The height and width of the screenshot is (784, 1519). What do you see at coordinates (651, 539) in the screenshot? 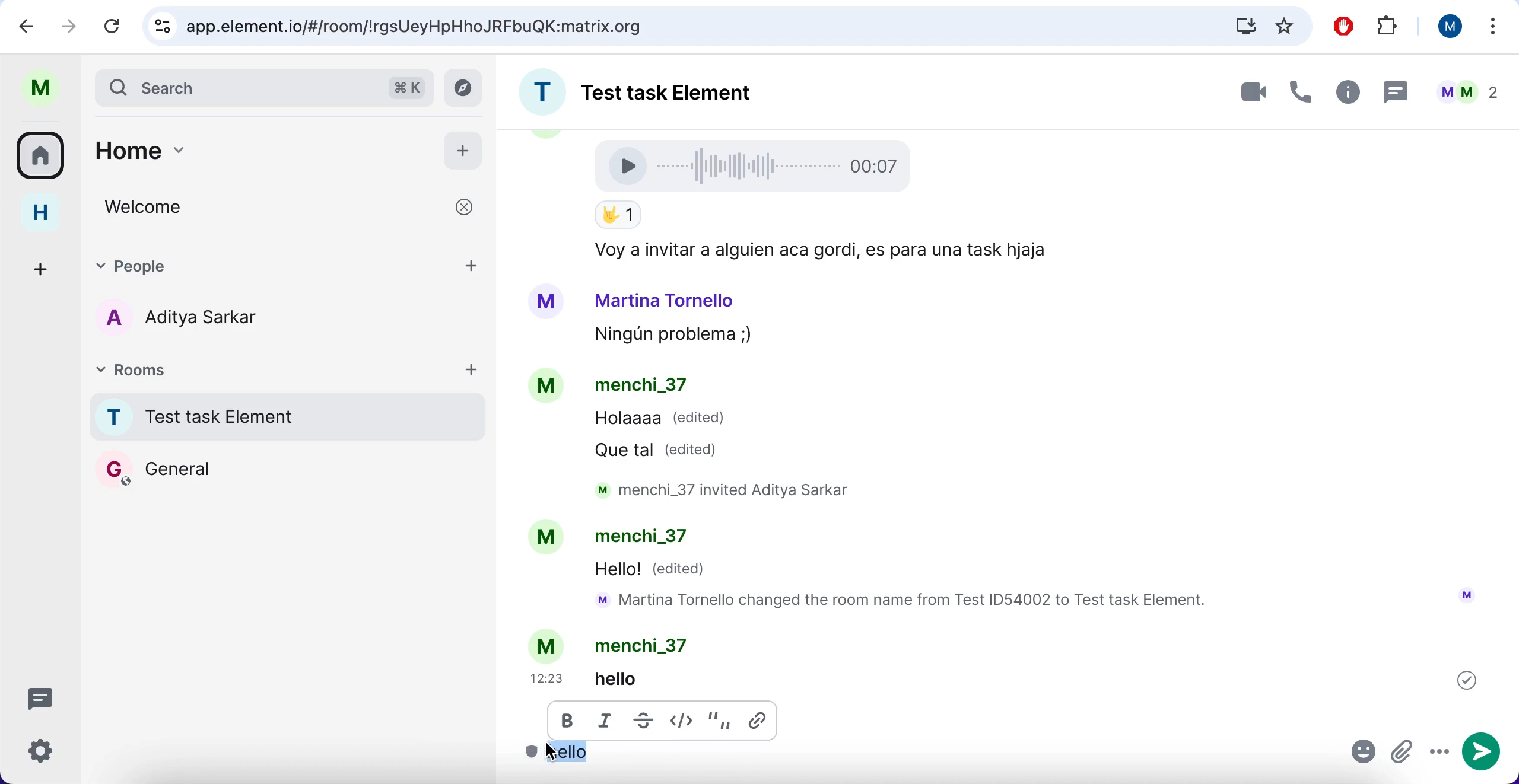
I see `menchi_37` at bounding box center [651, 539].